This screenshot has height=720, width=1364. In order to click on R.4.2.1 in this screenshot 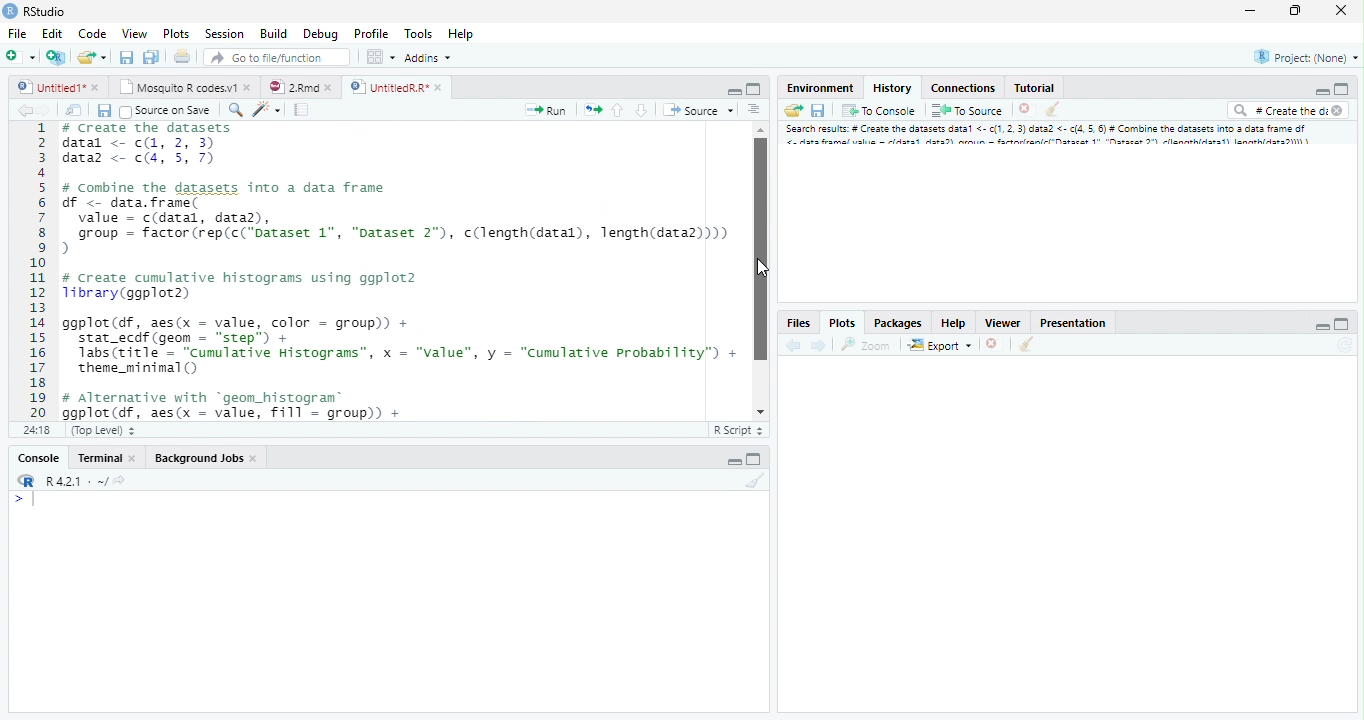, I will do `click(65, 481)`.